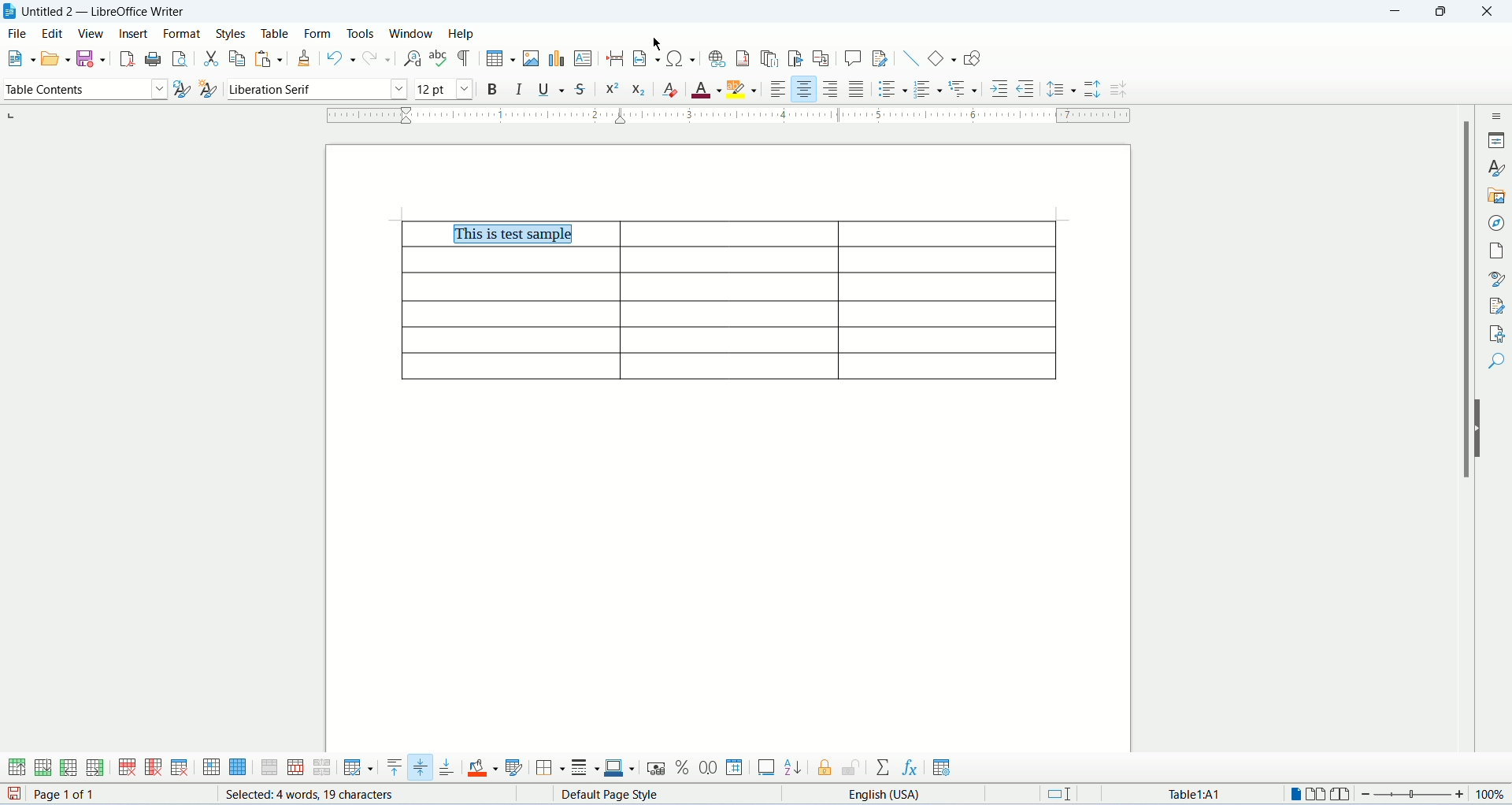 This screenshot has height=805, width=1512. I want to click on page, so click(1497, 247).